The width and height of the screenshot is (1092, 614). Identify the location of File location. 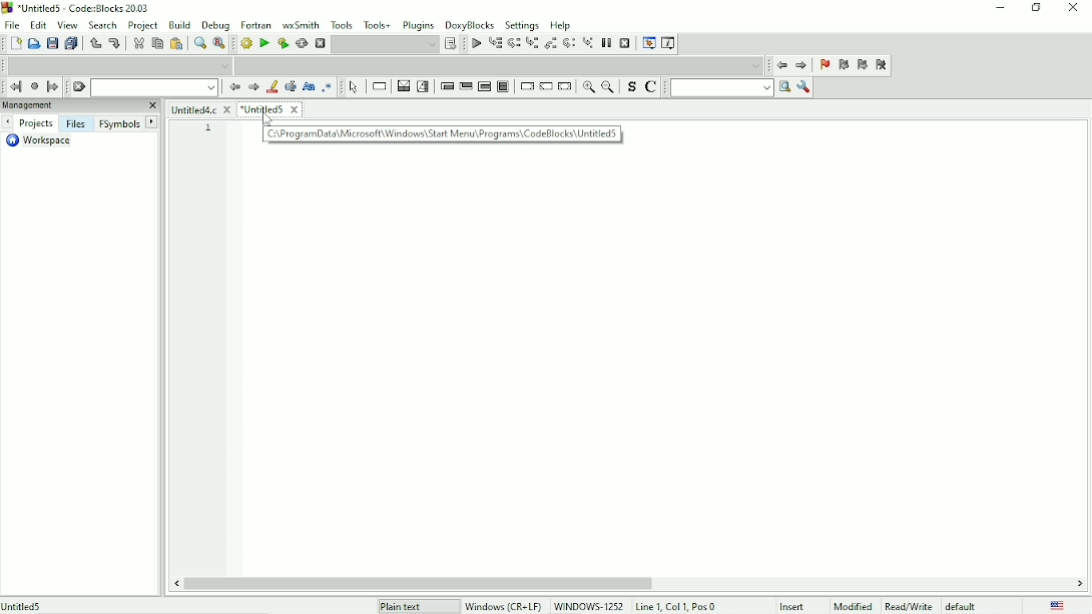
(92, 605).